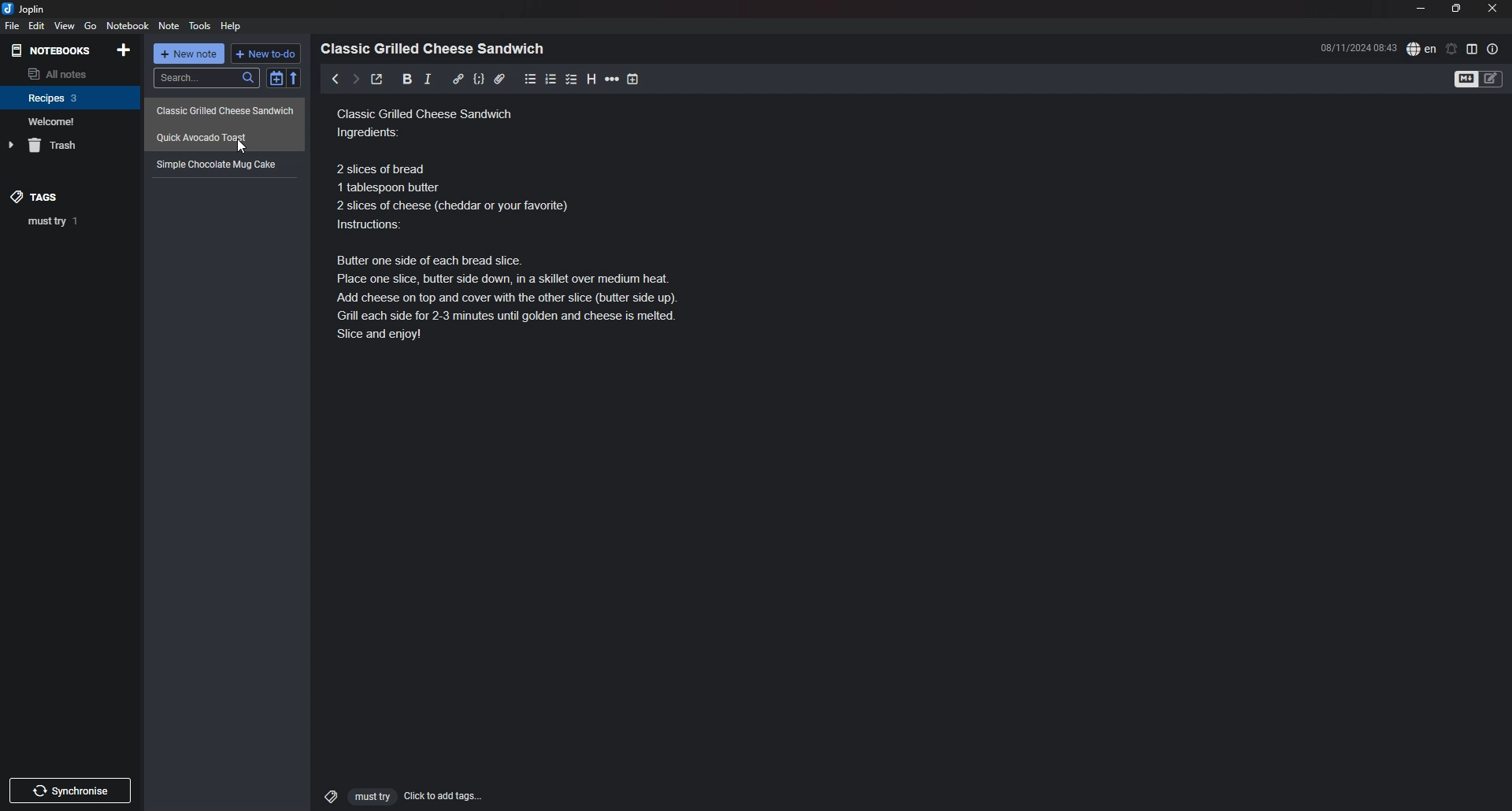  Describe the element at coordinates (225, 136) in the screenshot. I see `recipe` at that location.